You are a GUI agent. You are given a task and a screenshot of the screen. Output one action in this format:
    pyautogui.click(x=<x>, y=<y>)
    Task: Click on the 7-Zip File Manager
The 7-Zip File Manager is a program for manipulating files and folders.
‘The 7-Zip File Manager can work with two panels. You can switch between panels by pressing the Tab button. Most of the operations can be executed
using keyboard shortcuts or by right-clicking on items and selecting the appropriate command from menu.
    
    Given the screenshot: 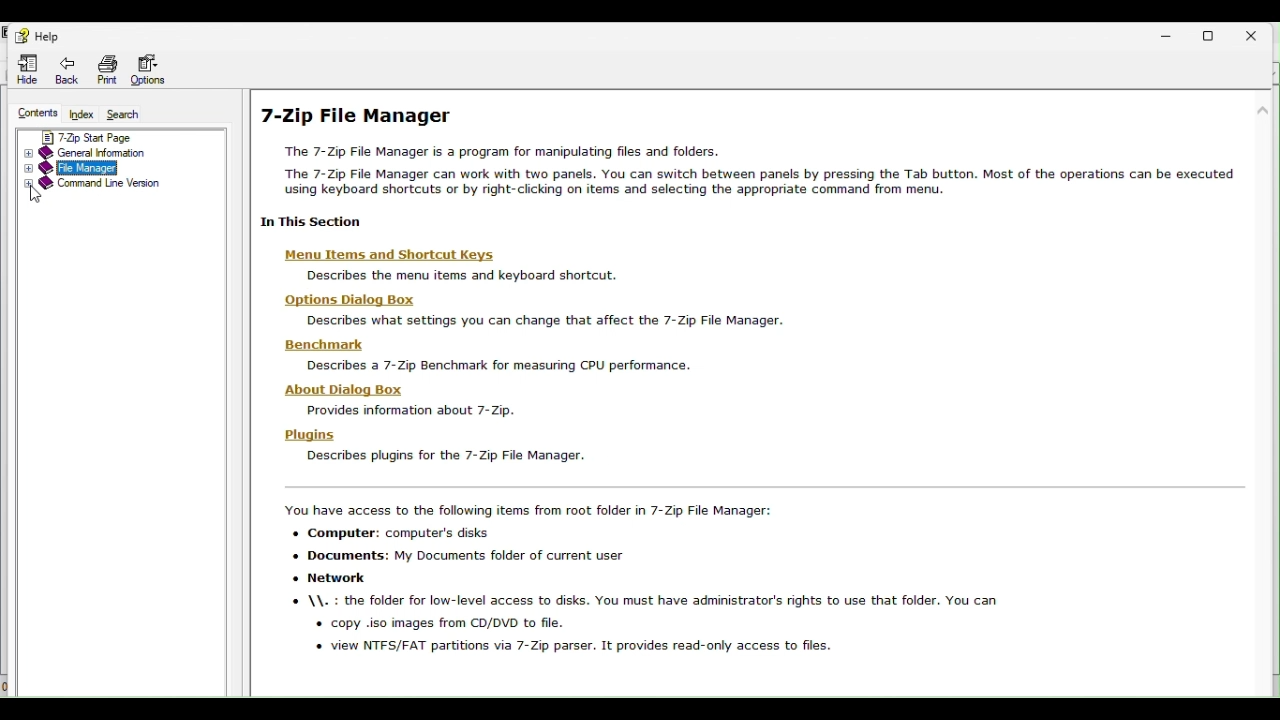 What is the action you would take?
    pyautogui.click(x=753, y=150)
    